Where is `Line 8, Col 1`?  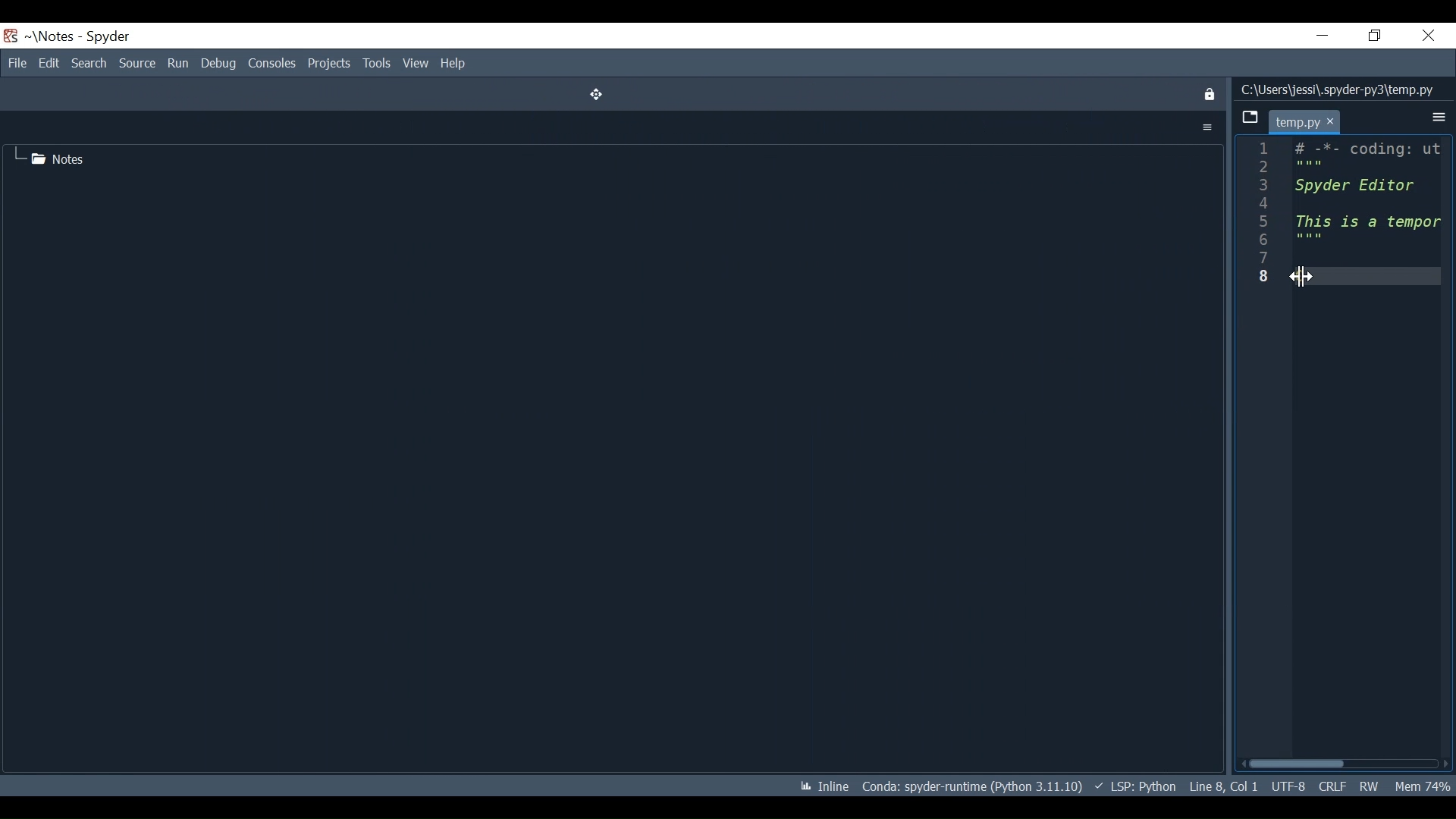
Line 8, Col 1 is located at coordinates (1222, 786).